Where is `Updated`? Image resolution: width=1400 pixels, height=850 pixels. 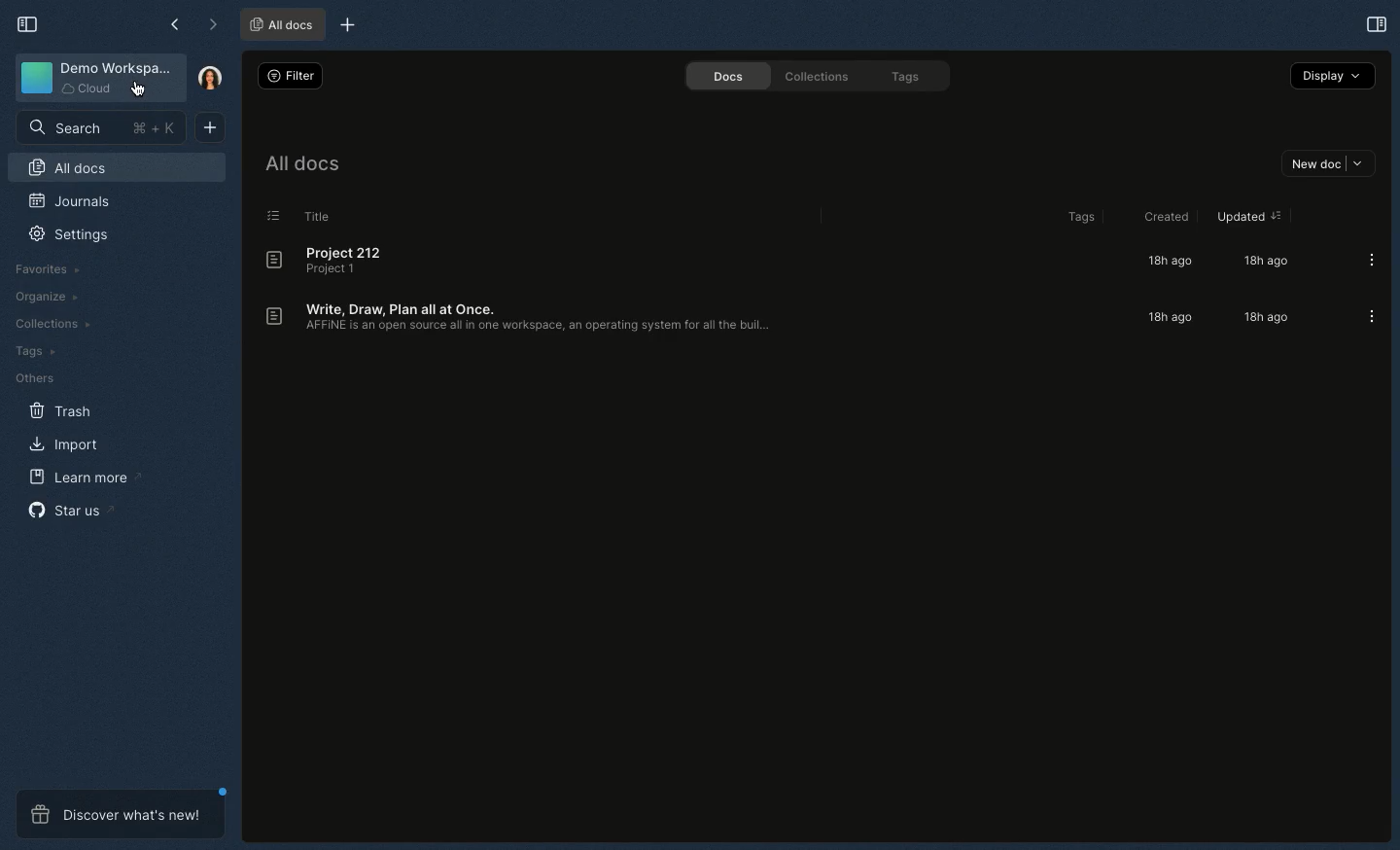 Updated is located at coordinates (1244, 218).